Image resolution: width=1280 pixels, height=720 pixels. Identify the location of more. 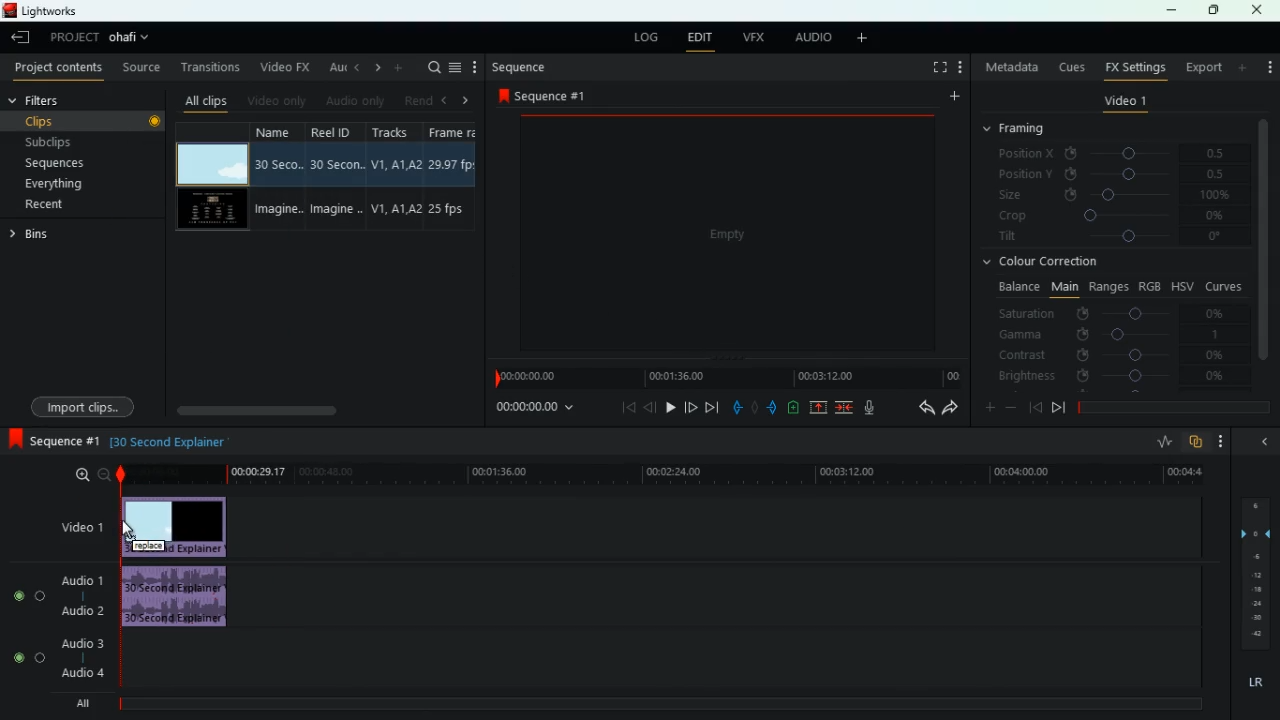
(475, 67).